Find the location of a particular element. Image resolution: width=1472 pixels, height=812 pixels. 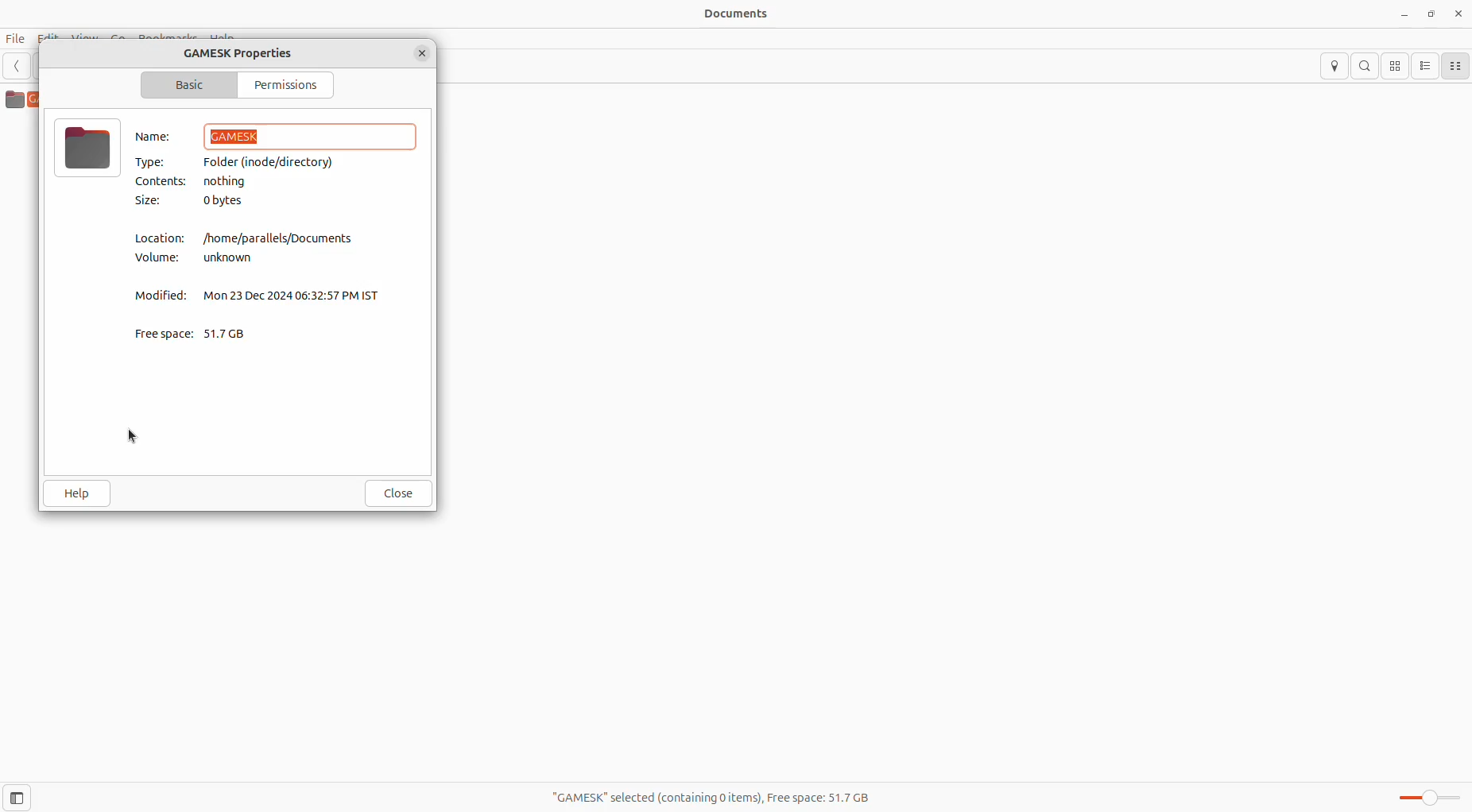

unknown is located at coordinates (233, 259).